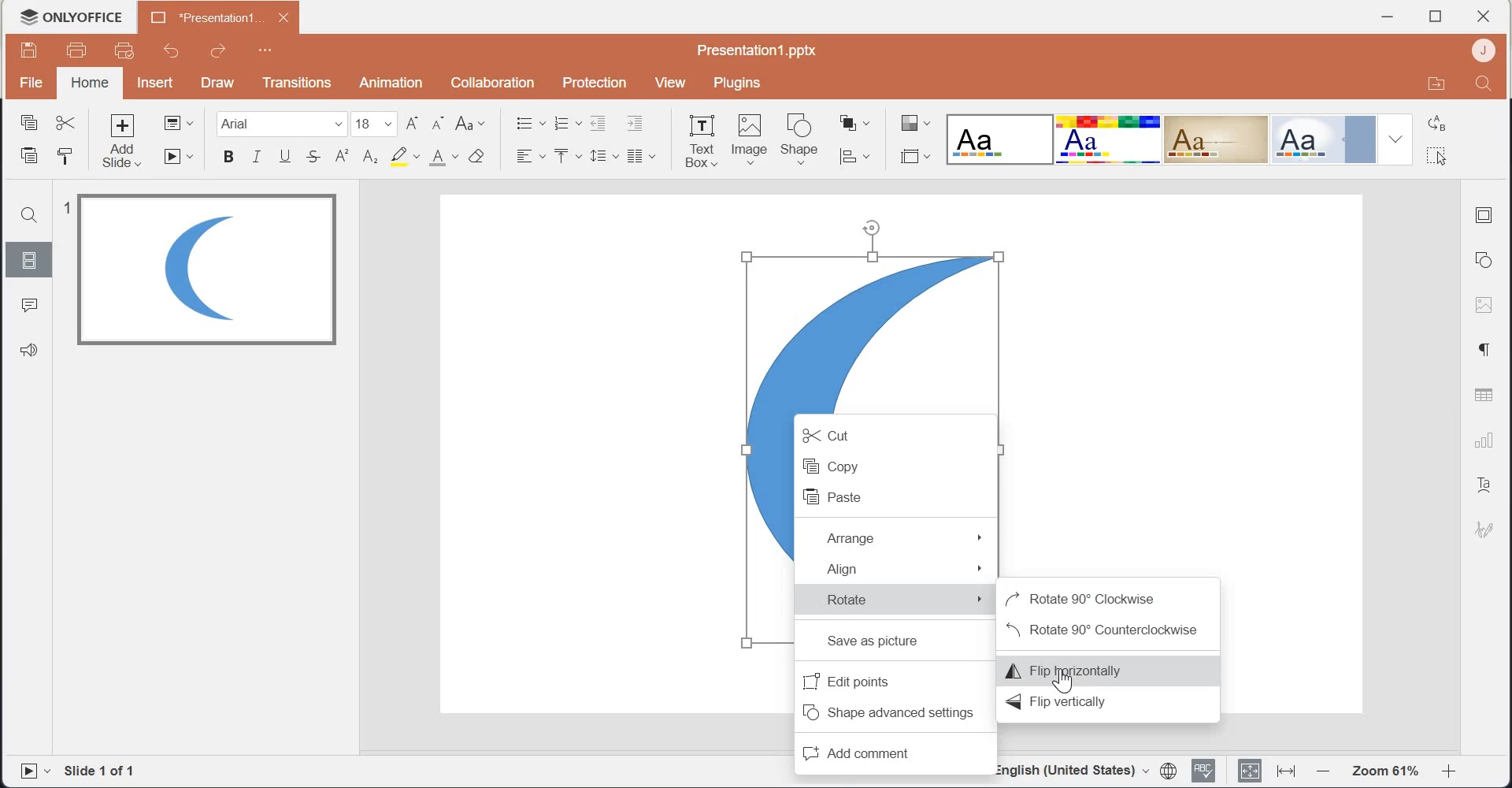 The width and height of the screenshot is (1512, 788). Describe the element at coordinates (900, 537) in the screenshot. I see `Arrange` at that location.